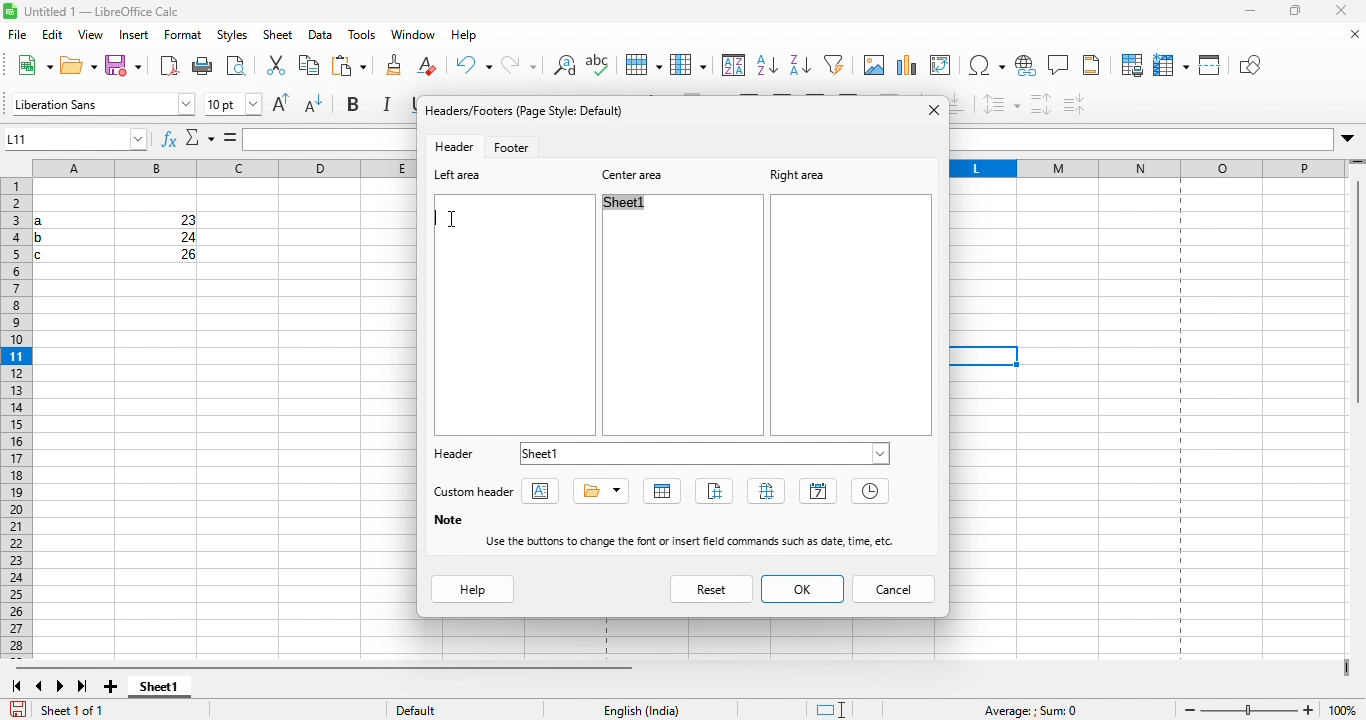  I want to click on undo, so click(434, 68).